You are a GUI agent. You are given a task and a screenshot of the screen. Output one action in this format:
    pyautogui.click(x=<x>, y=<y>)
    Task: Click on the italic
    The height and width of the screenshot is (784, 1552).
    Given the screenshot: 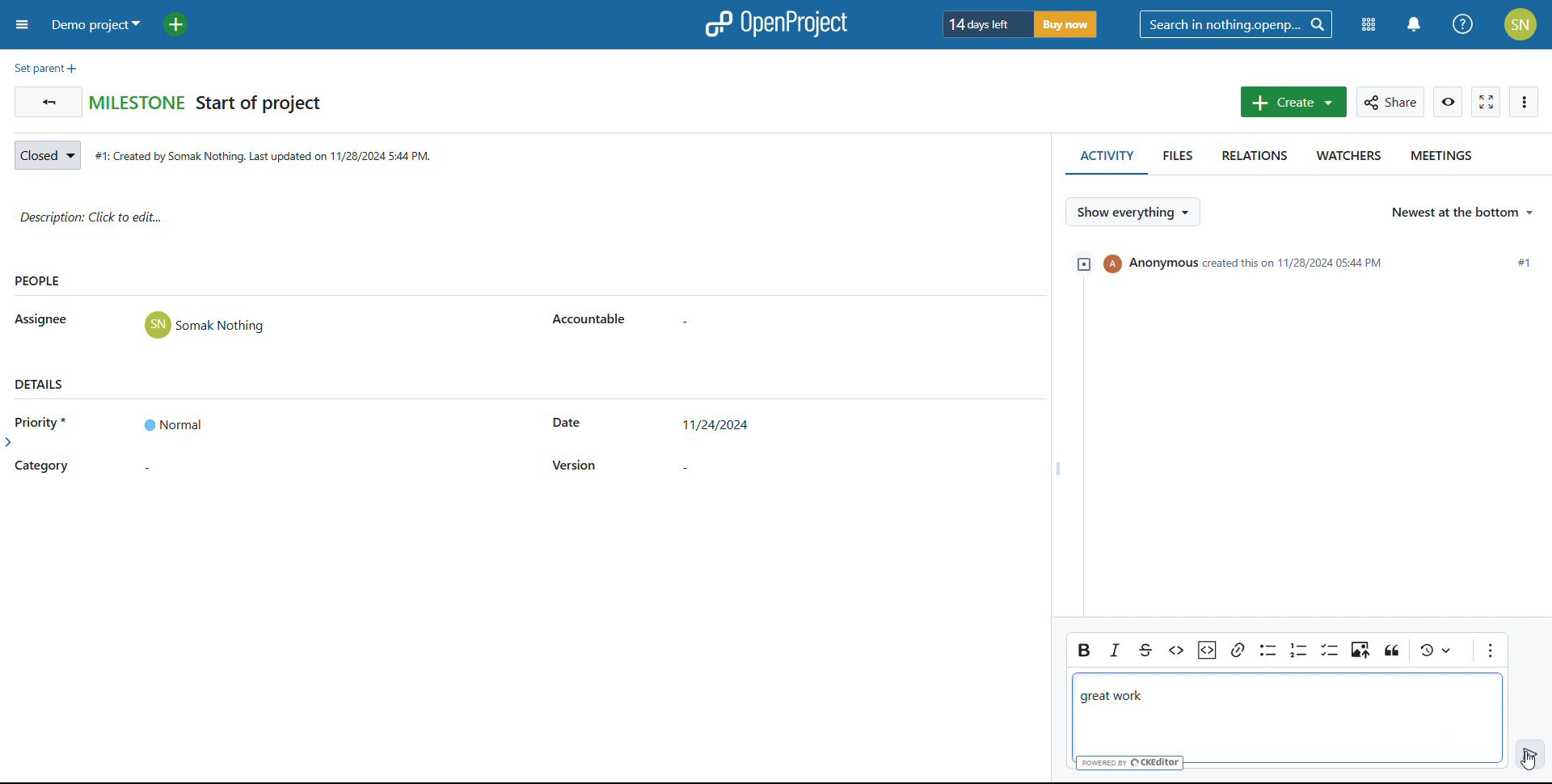 What is the action you would take?
    pyautogui.click(x=1115, y=651)
    